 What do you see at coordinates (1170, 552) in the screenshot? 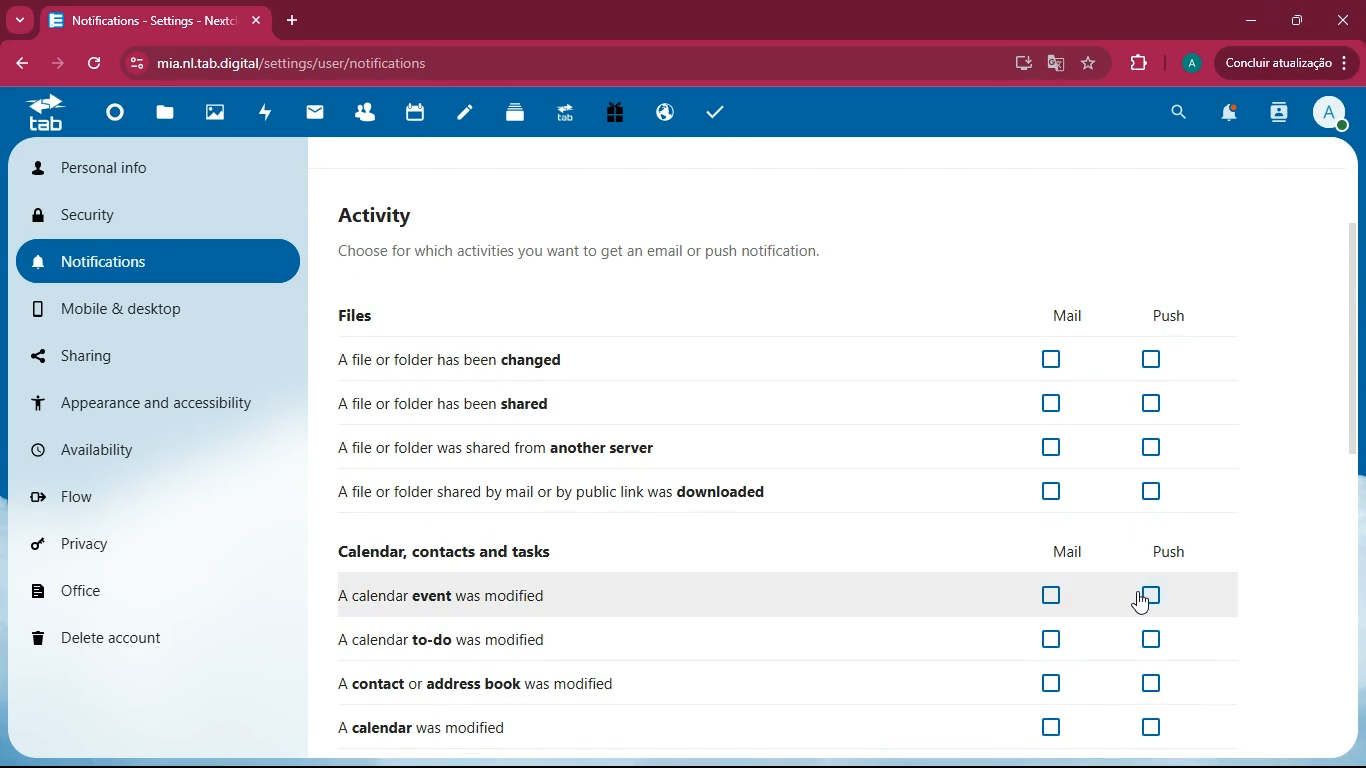
I see `push` at bounding box center [1170, 552].